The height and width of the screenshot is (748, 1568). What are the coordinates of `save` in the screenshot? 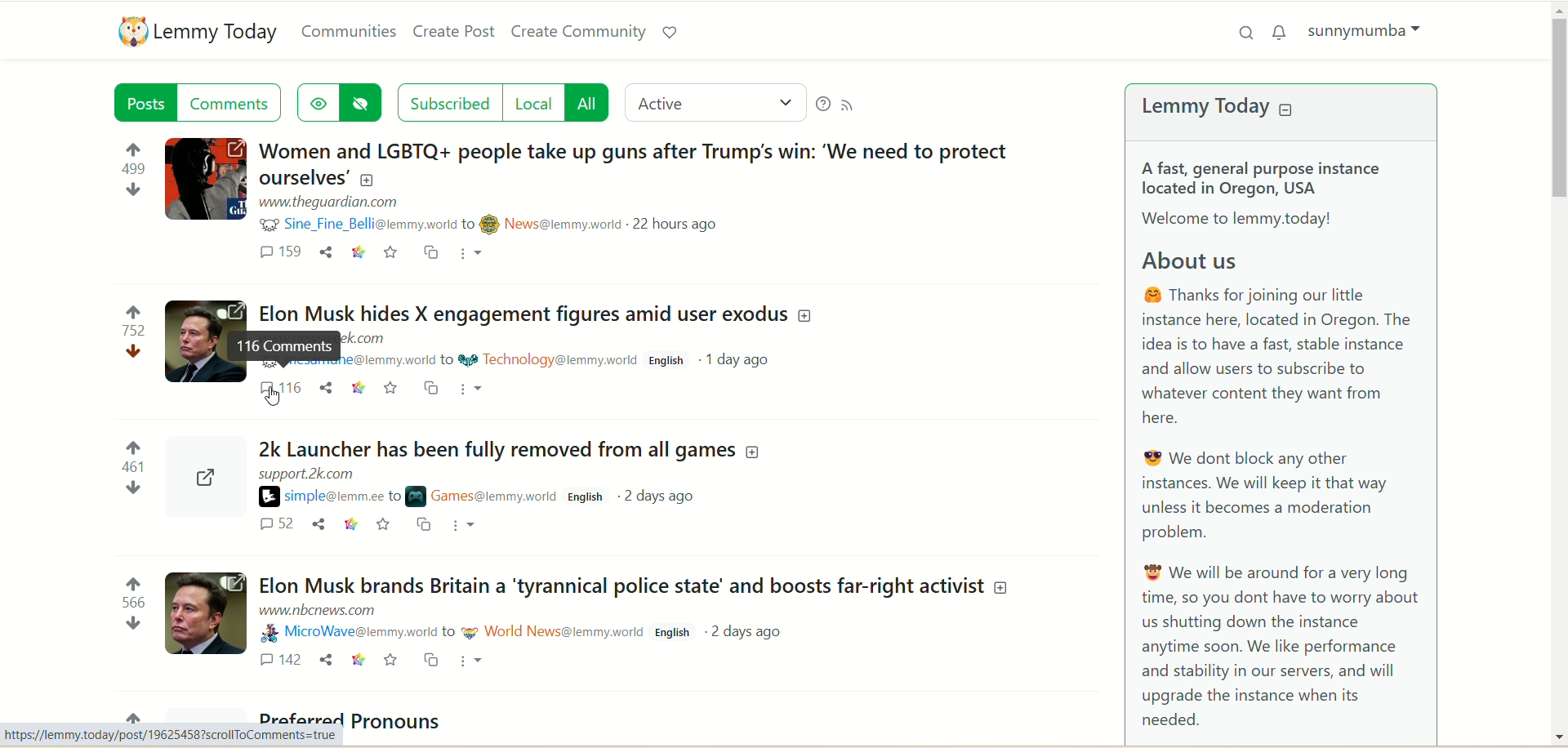 It's located at (384, 523).